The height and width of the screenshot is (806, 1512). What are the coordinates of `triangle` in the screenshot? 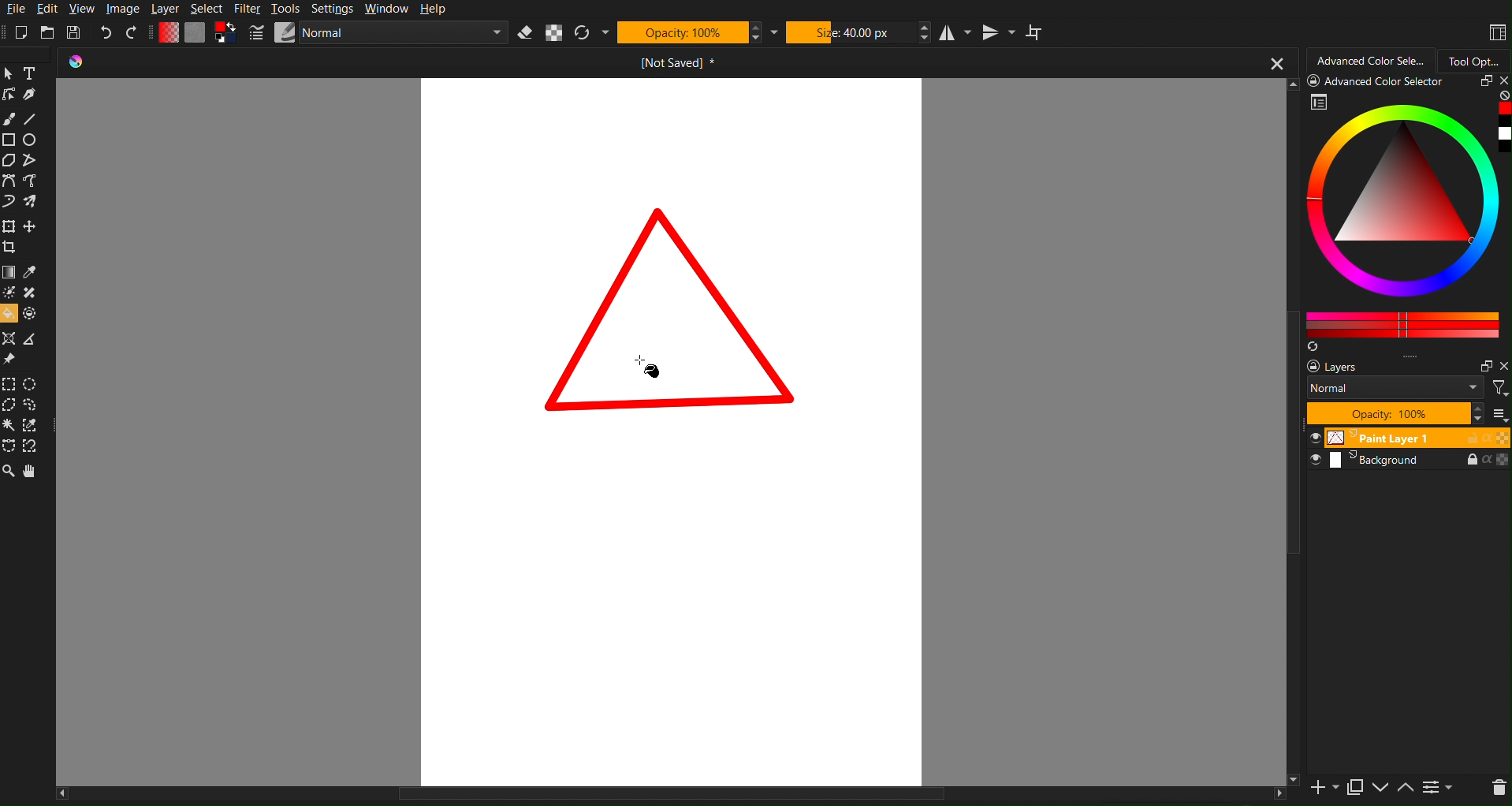 It's located at (670, 307).